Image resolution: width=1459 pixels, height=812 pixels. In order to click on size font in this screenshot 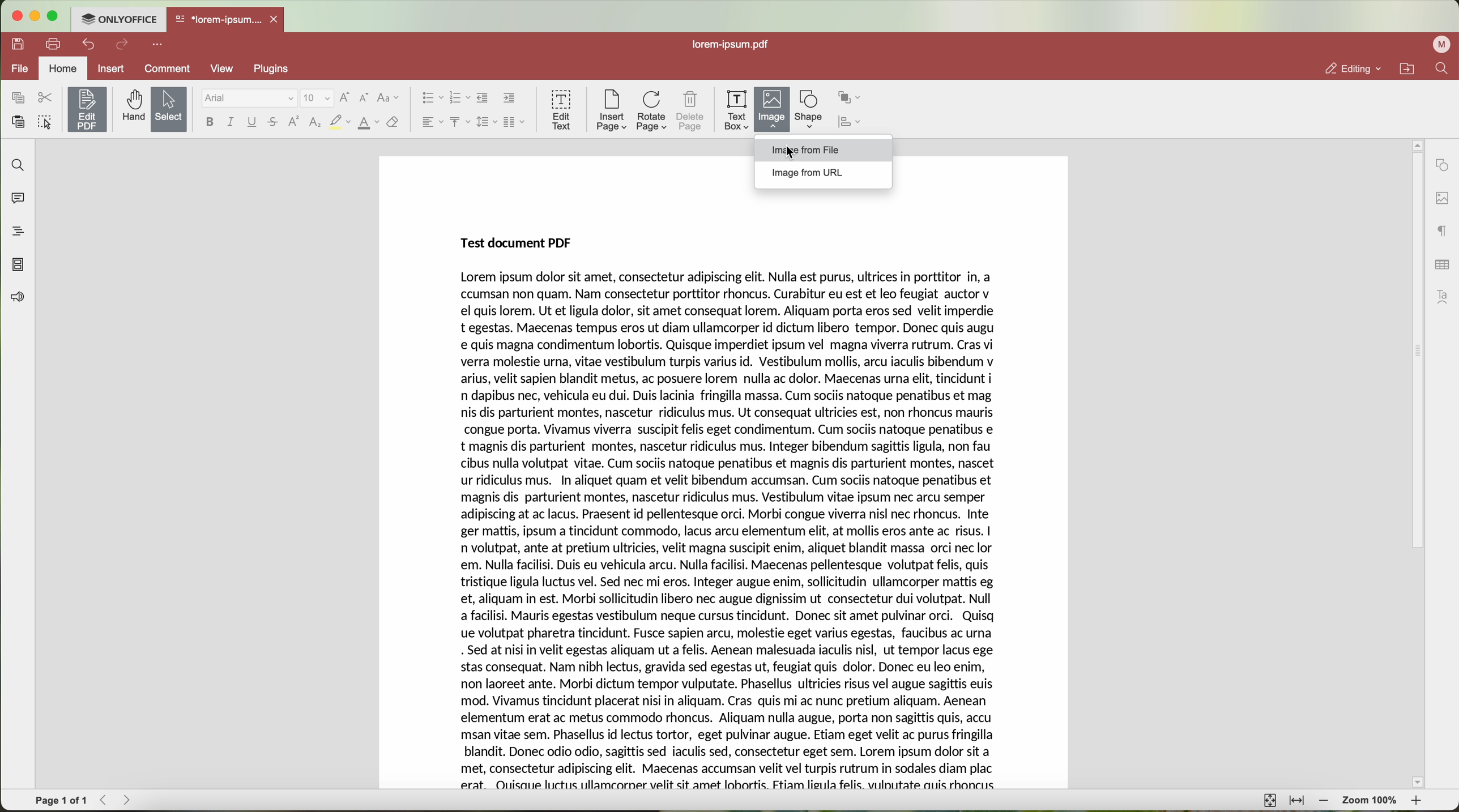, I will do `click(317, 99)`.